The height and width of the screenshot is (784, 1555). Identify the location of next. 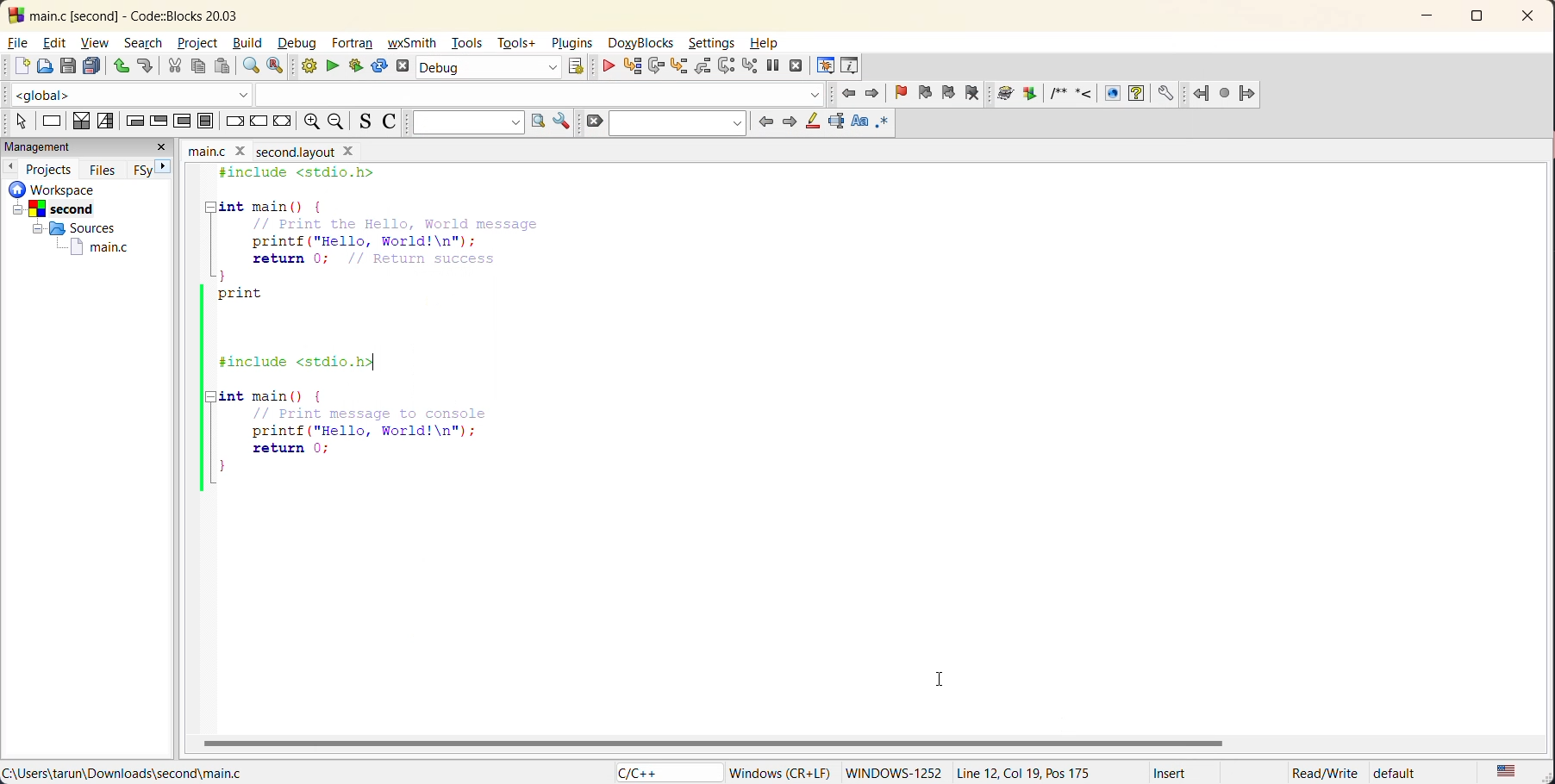
(790, 122).